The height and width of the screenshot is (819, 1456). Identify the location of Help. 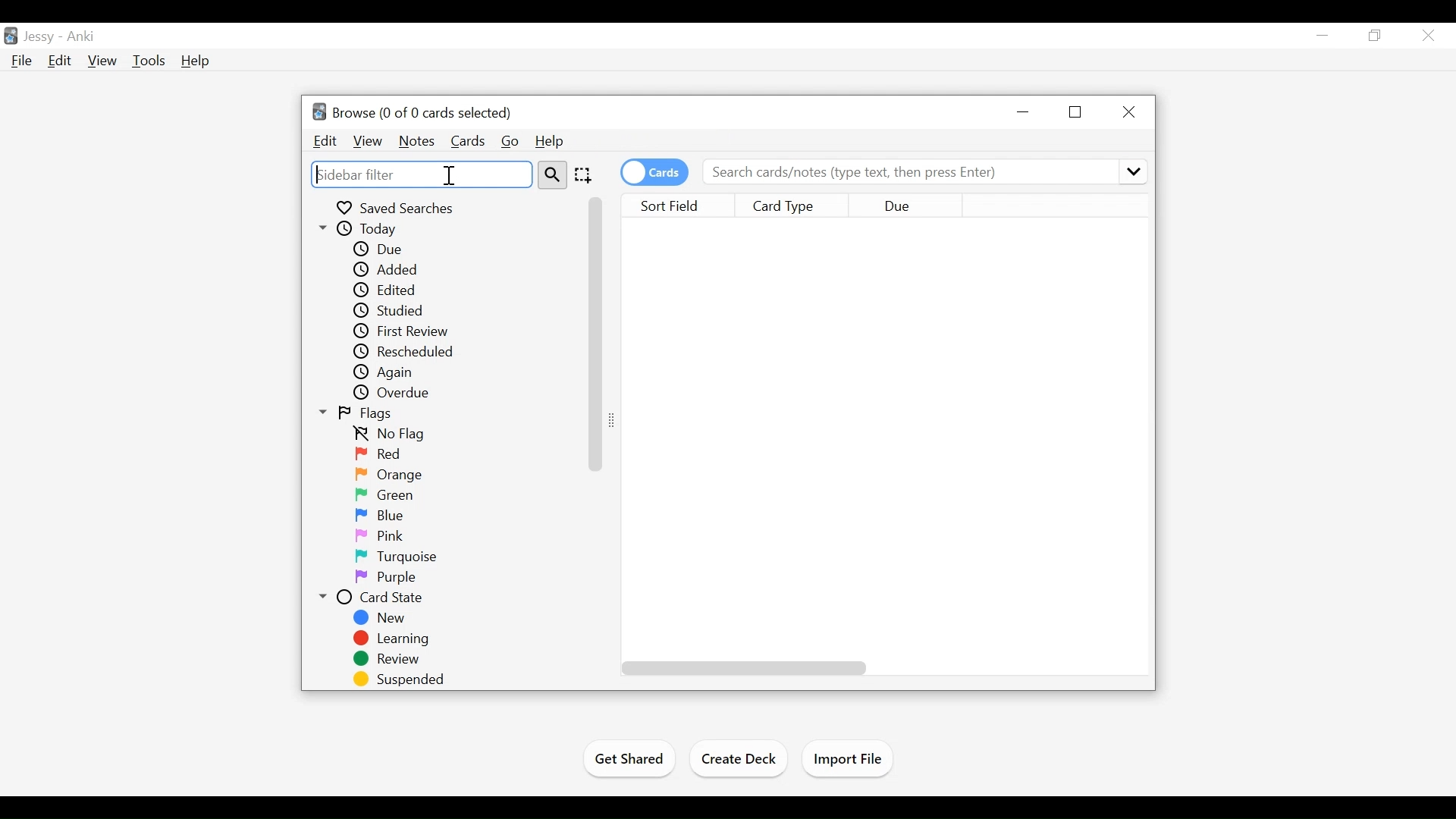
(550, 140).